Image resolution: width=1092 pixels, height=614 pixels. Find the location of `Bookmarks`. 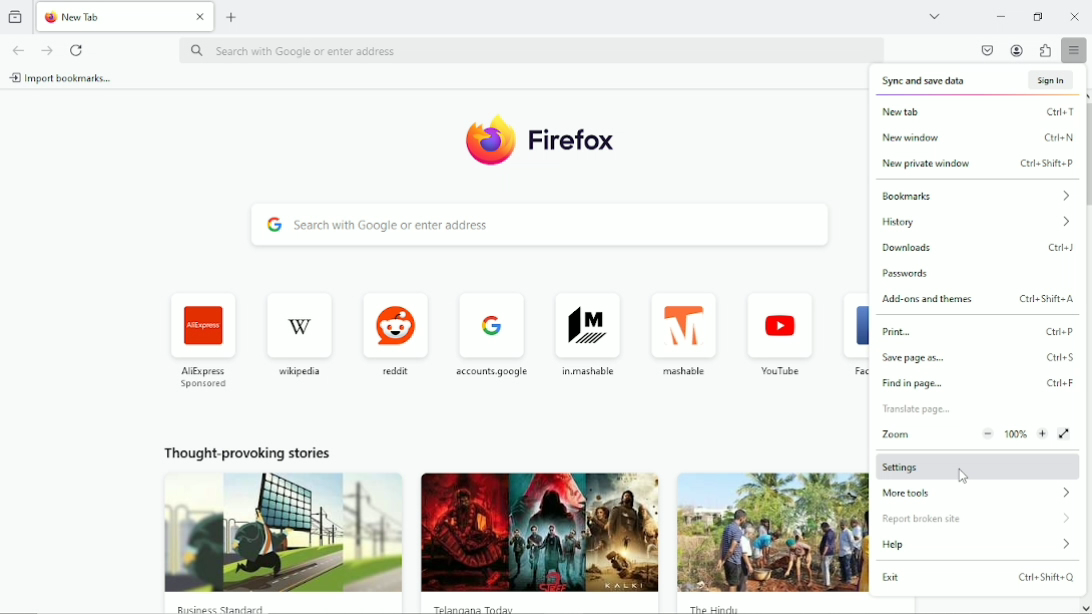

Bookmarks is located at coordinates (976, 194).